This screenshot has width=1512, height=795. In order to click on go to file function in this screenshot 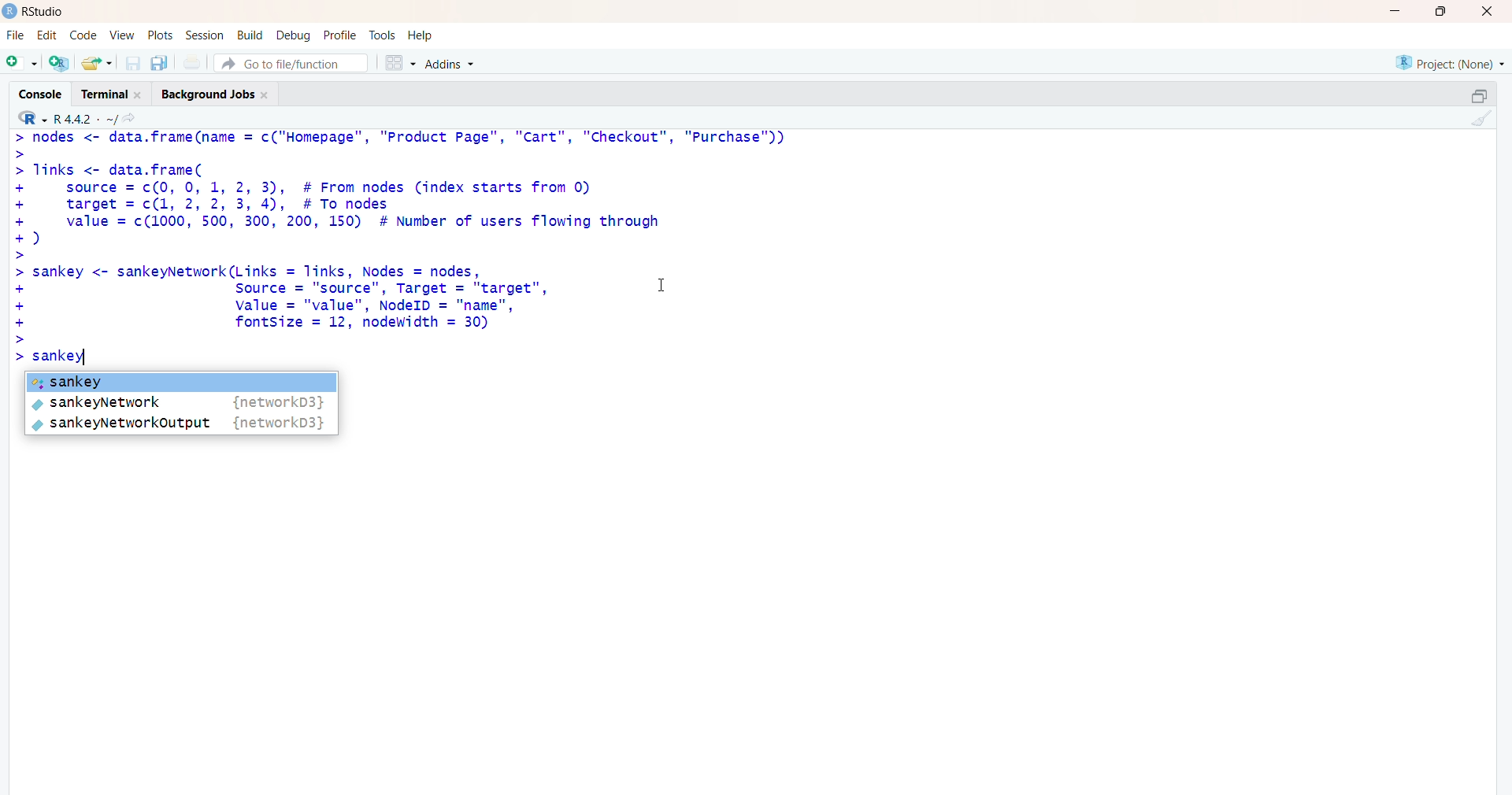, I will do `click(291, 63)`.